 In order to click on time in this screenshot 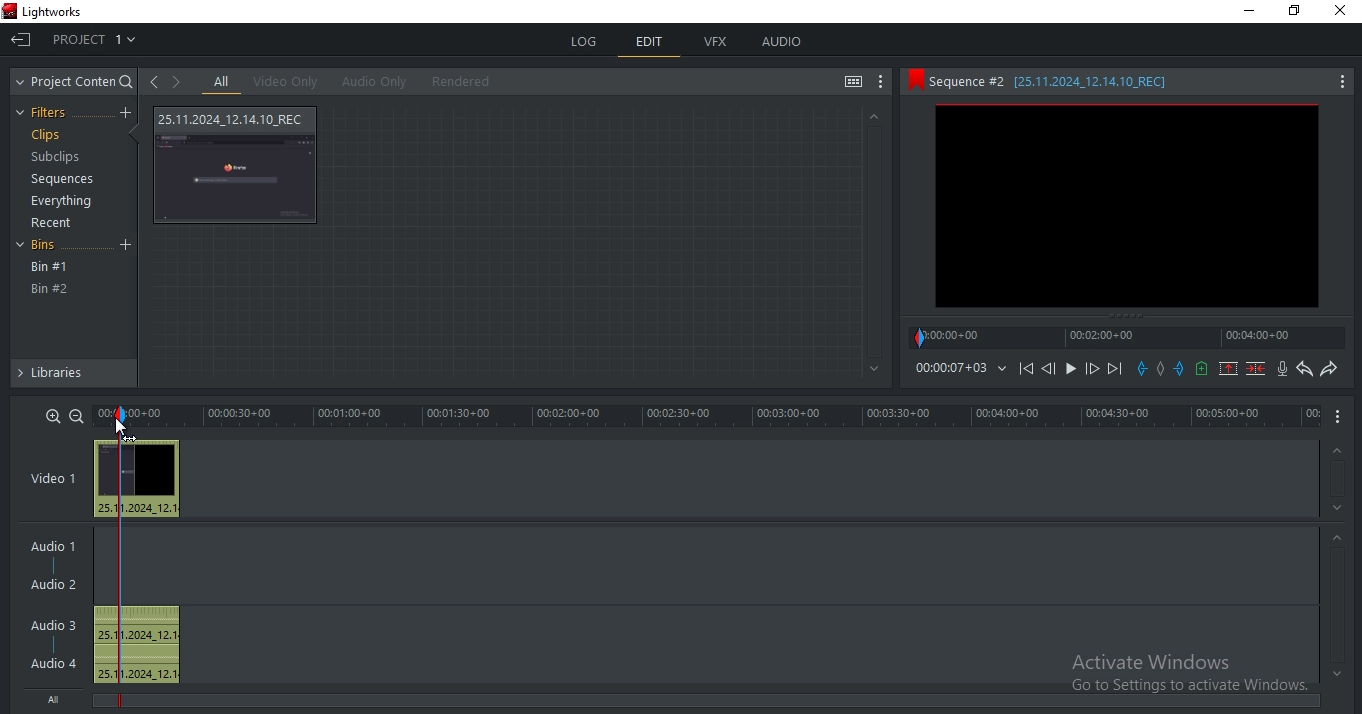, I will do `click(740, 415)`.